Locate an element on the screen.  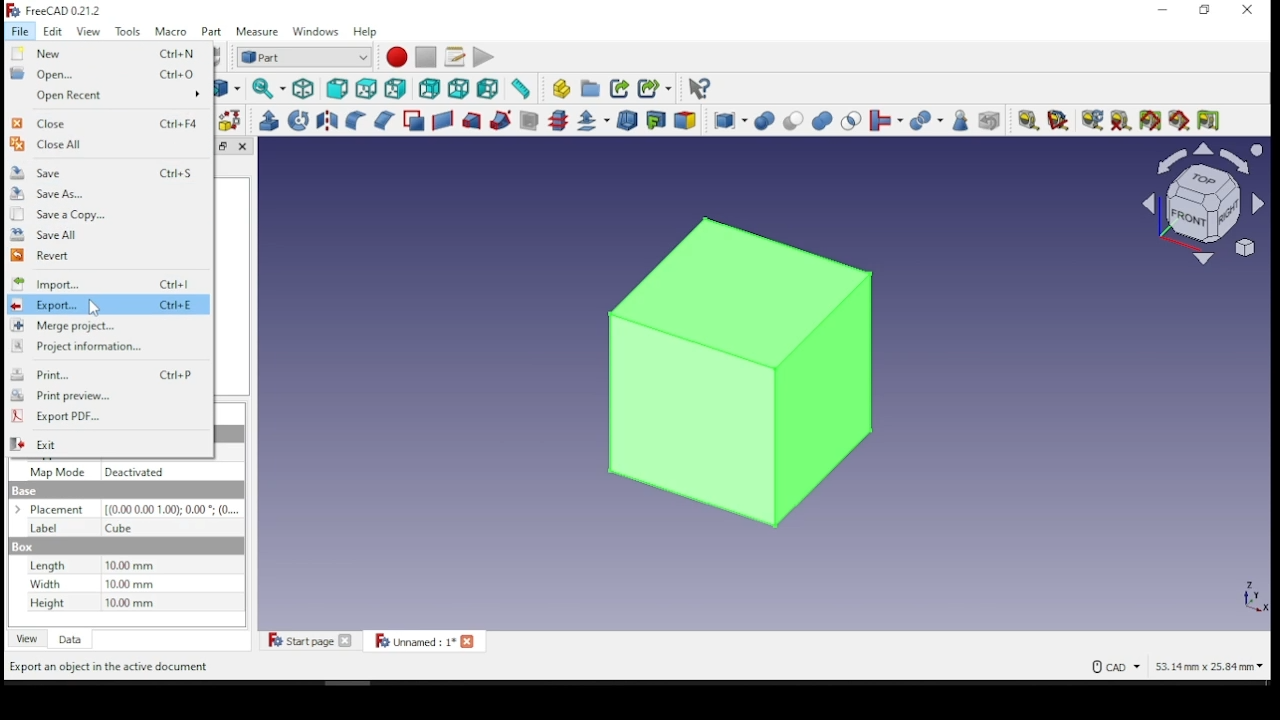
boolean is located at coordinates (764, 122).